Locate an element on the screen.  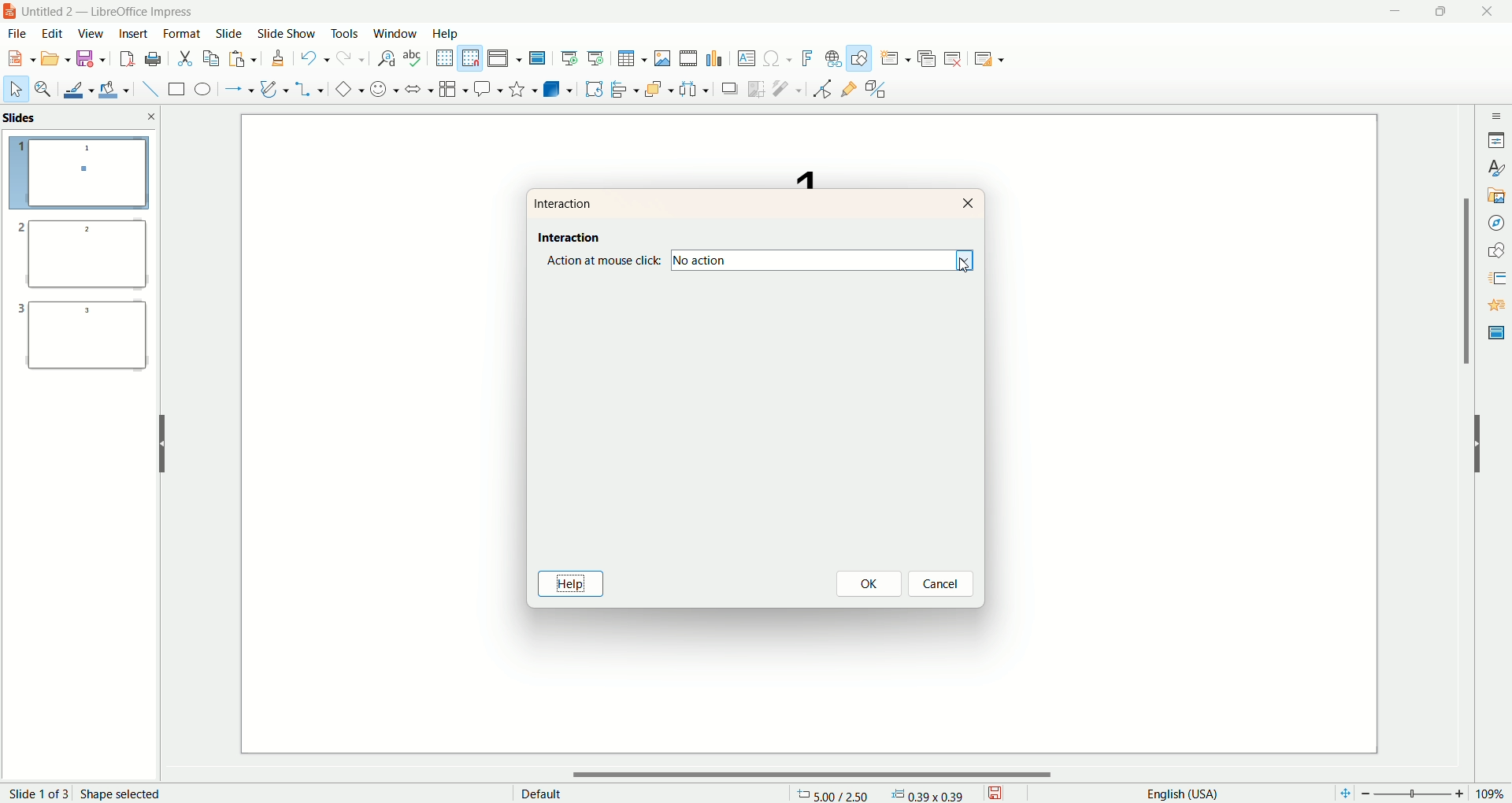
line and arrow is located at coordinates (237, 90).